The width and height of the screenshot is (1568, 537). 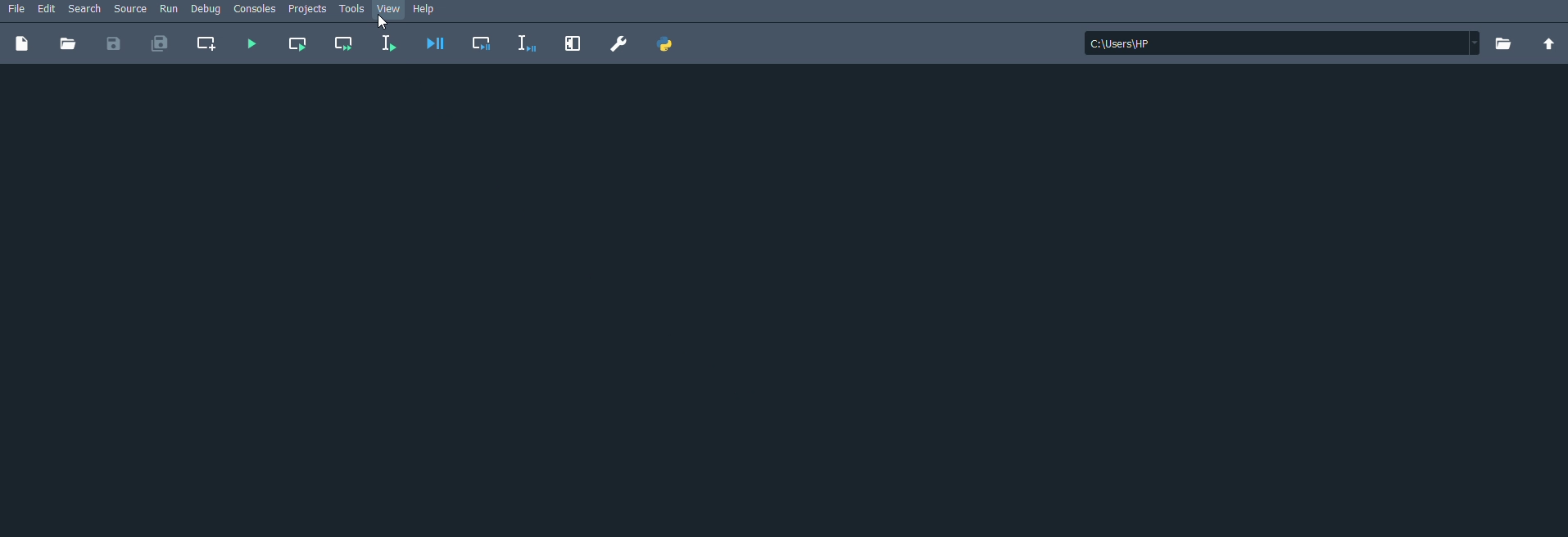 What do you see at coordinates (211, 43) in the screenshot?
I see `Create new cell at the current line` at bounding box center [211, 43].